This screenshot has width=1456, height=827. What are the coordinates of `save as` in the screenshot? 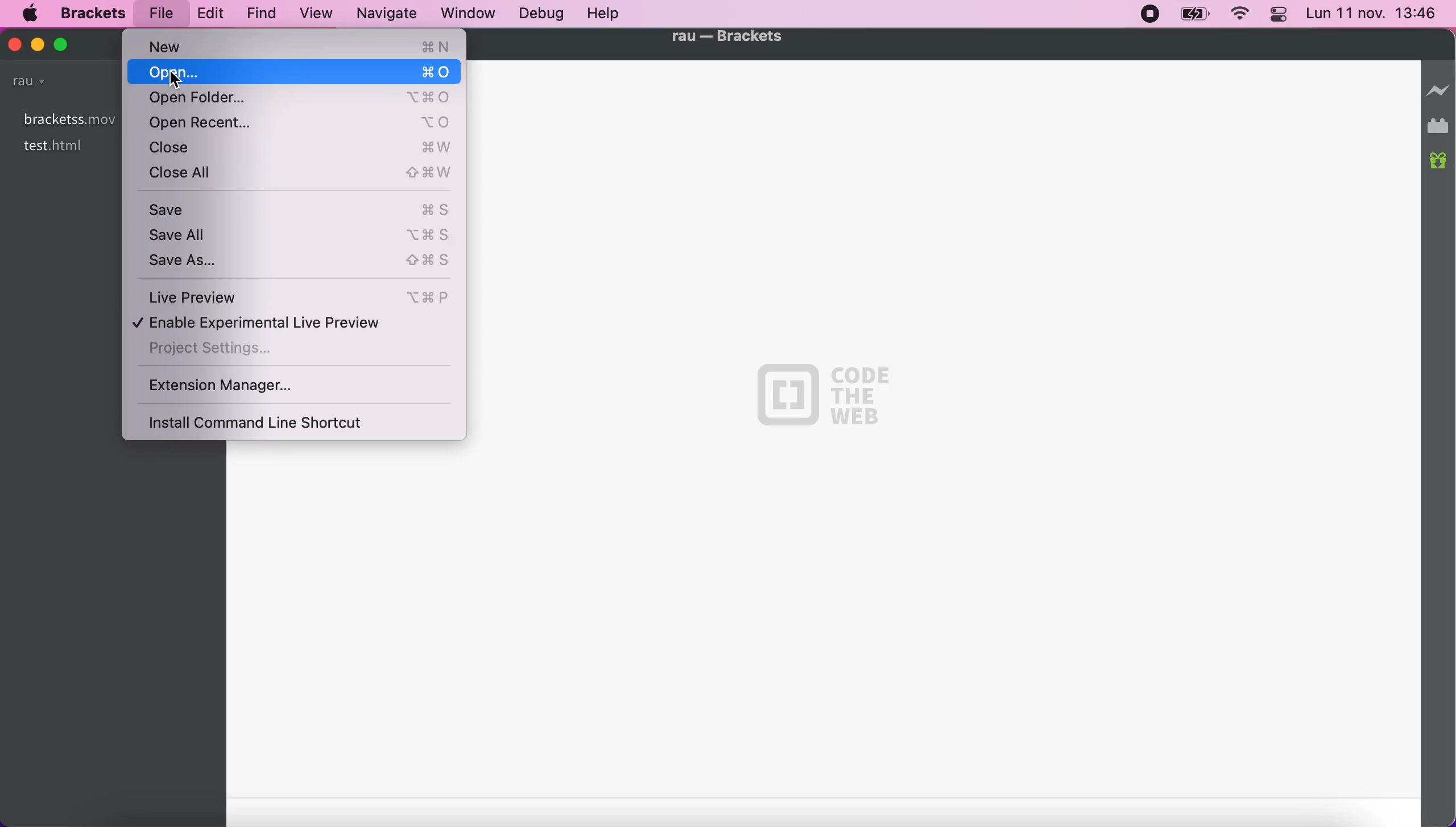 It's located at (292, 264).